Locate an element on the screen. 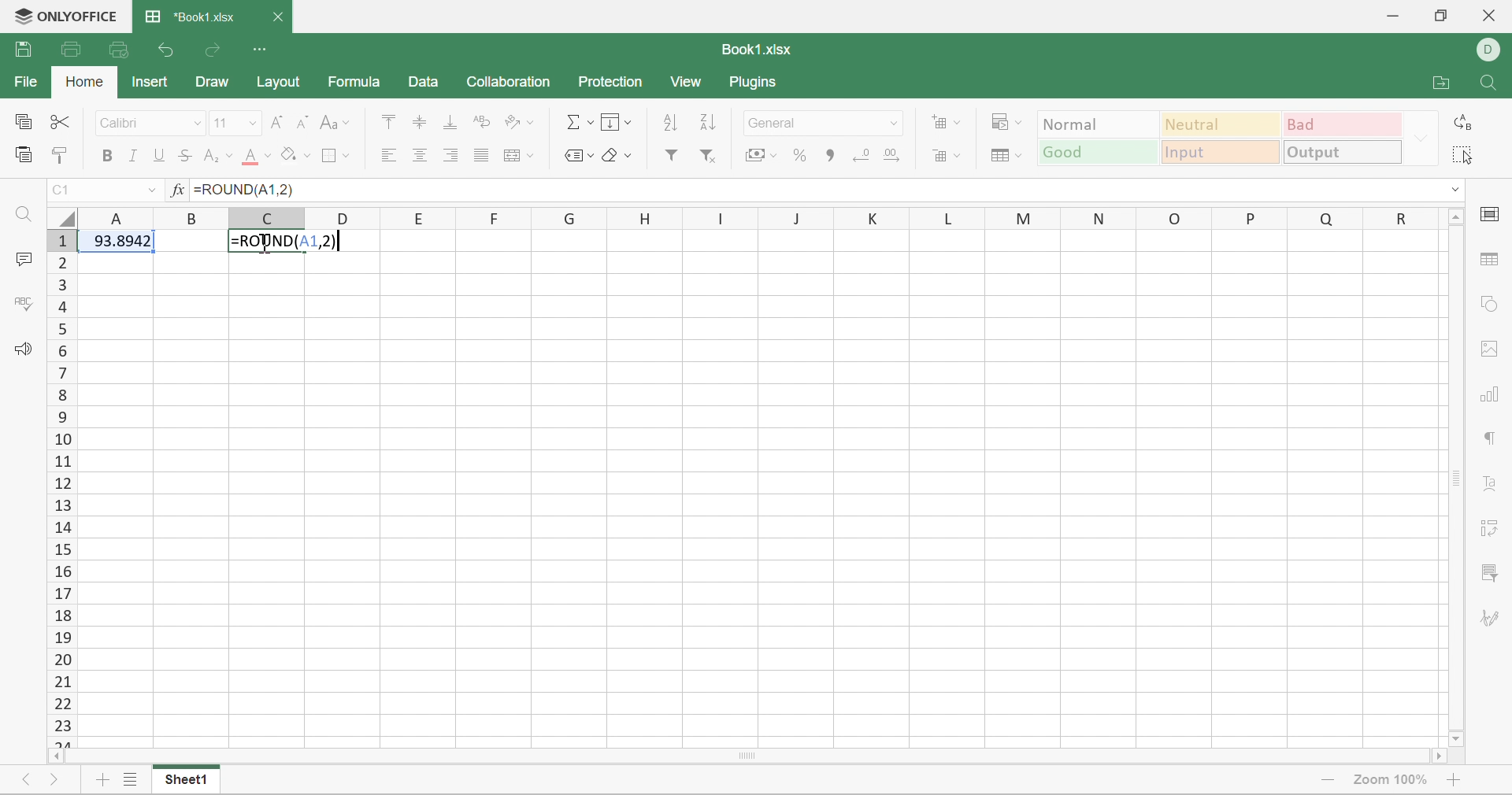 The width and height of the screenshot is (1512, 795). Zoom out is located at coordinates (1323, 778).